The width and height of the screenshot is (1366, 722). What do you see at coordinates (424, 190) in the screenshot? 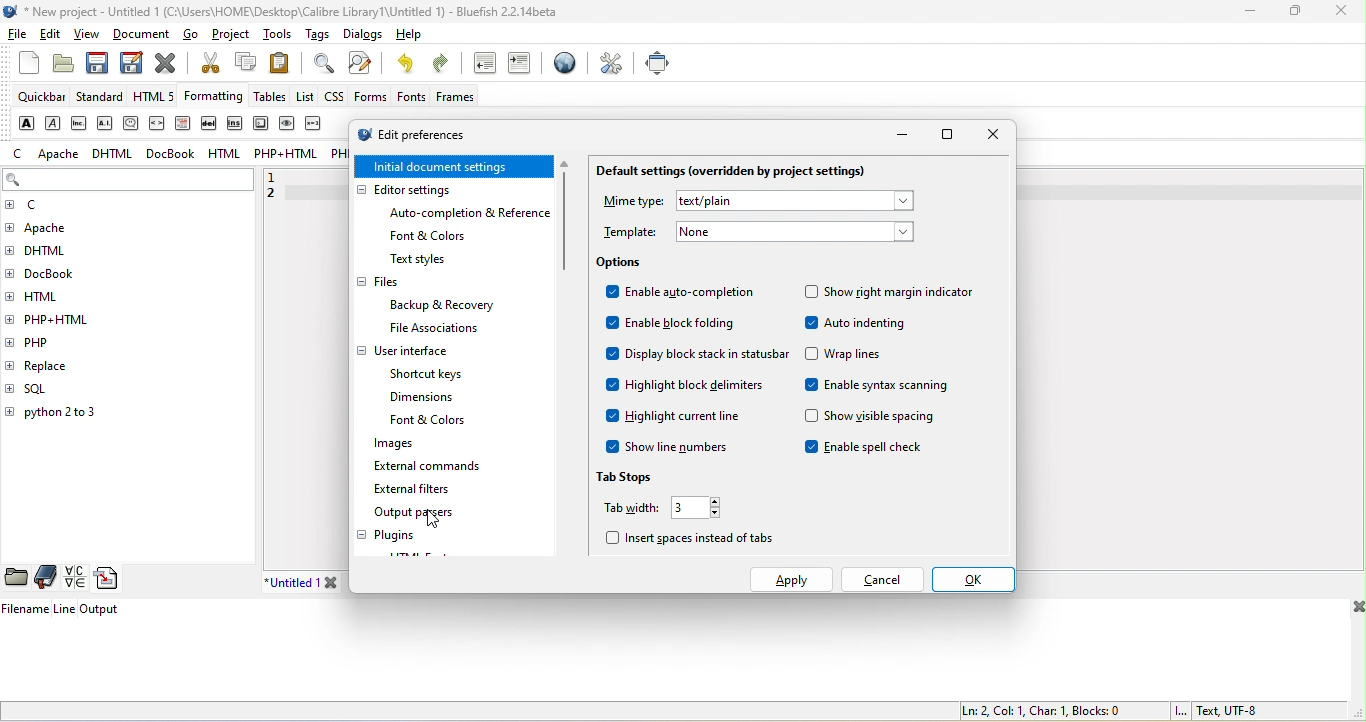
I see `editor settings` at bounding box center [424, 190].